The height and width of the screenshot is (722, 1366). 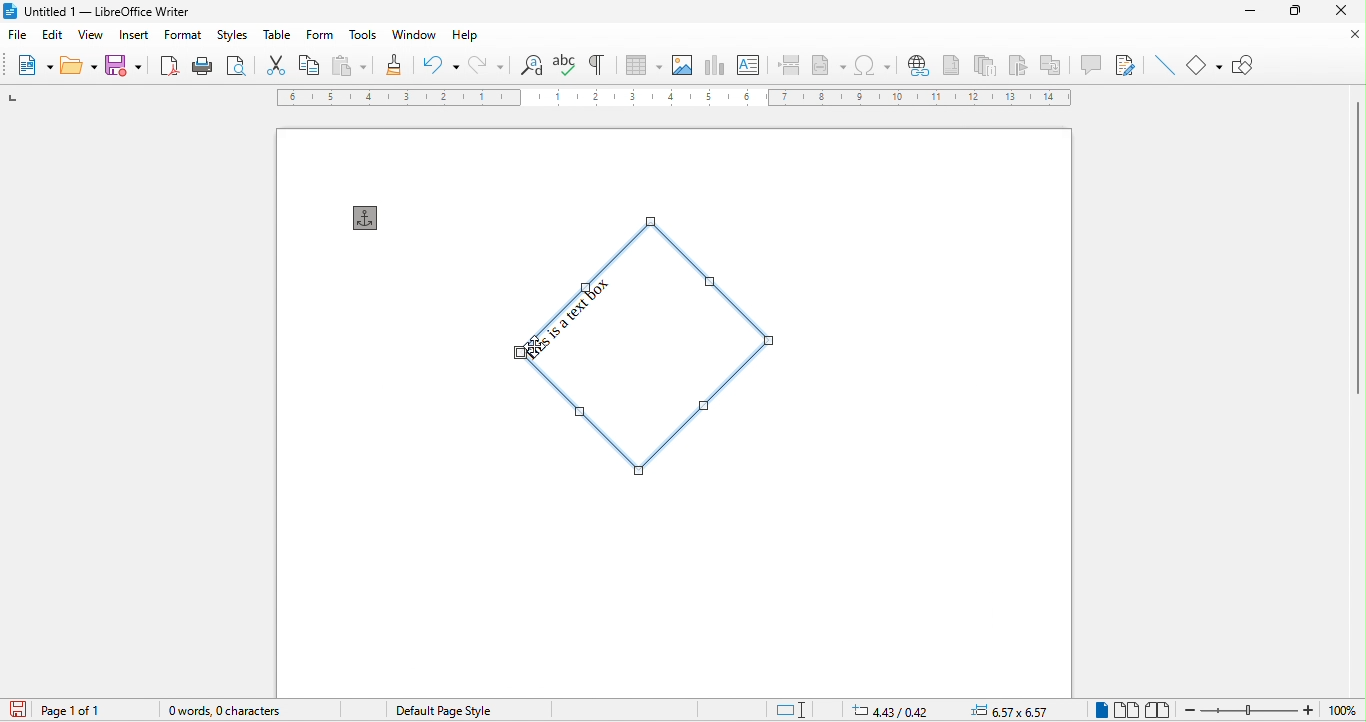 I want to click on insert line, so click(x=1162, y=66).